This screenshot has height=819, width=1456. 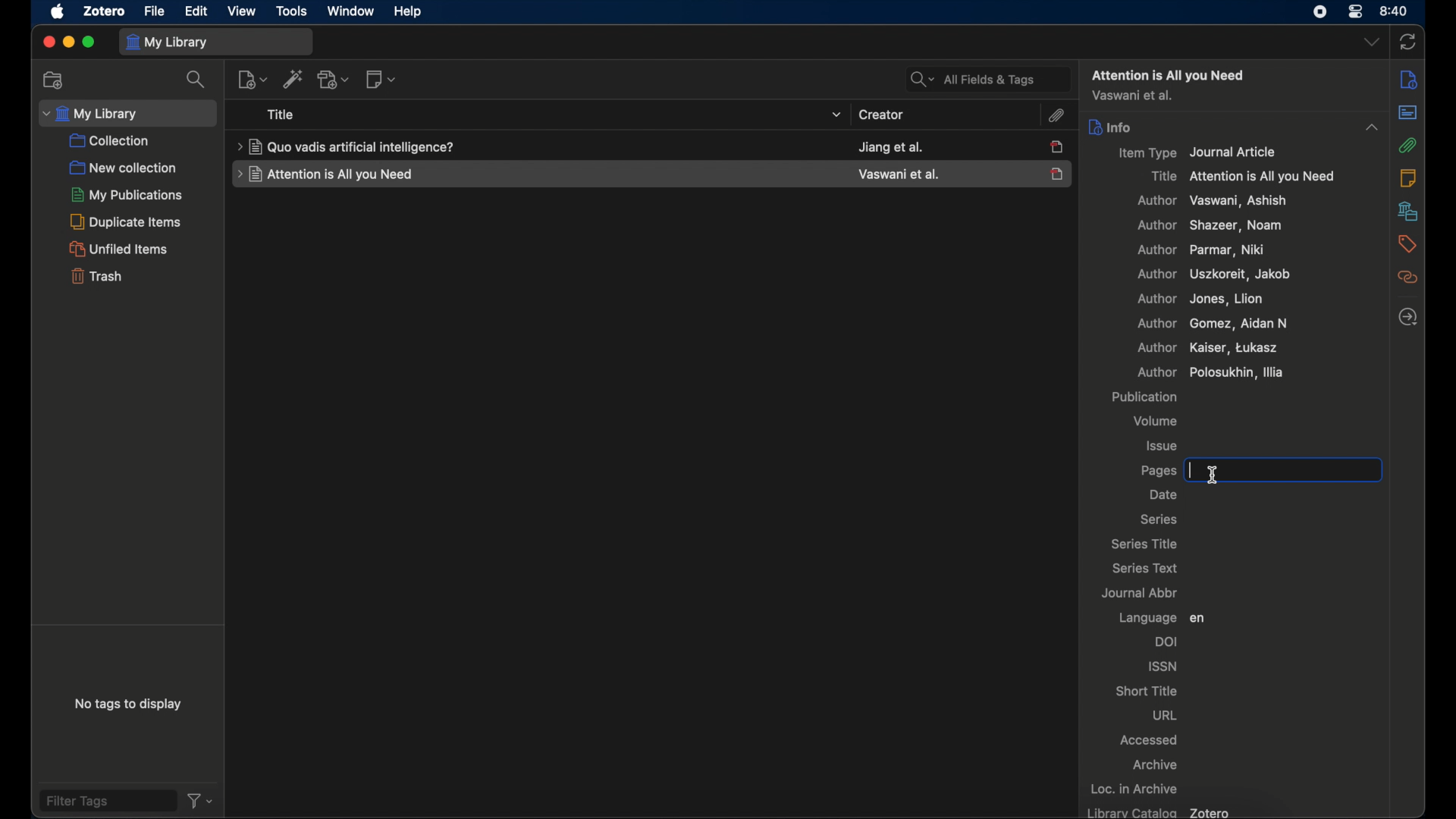 I want to click on info, so click(x=1112, y=127).